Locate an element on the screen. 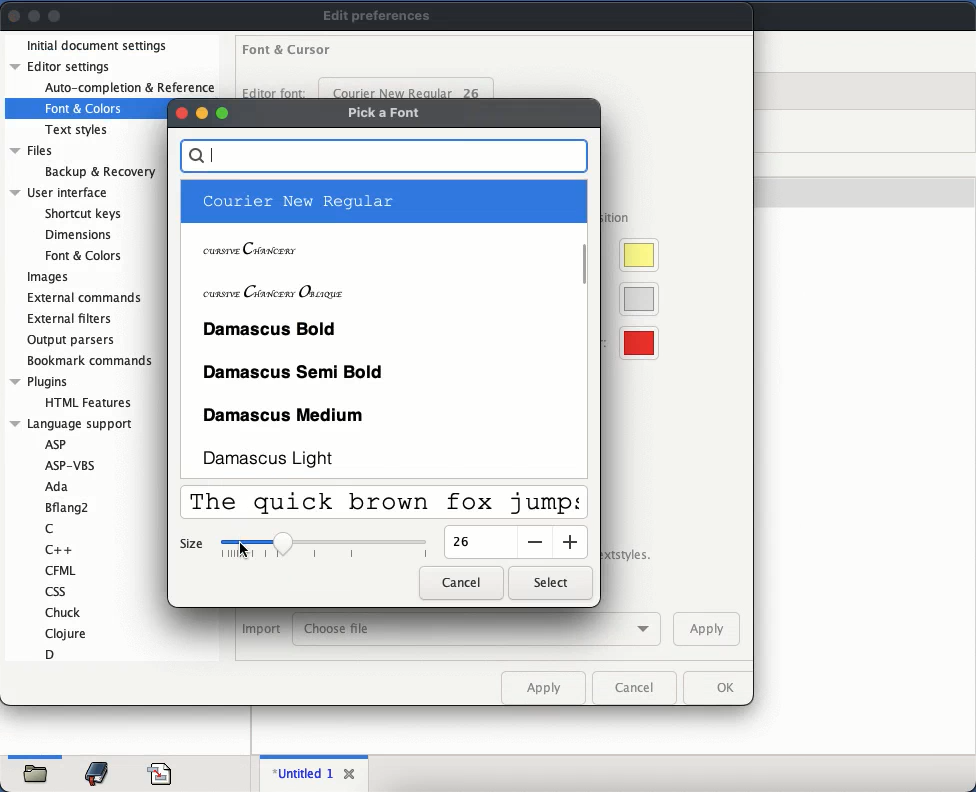  Damascus Semi Bold is located at coordinates (293, 373).